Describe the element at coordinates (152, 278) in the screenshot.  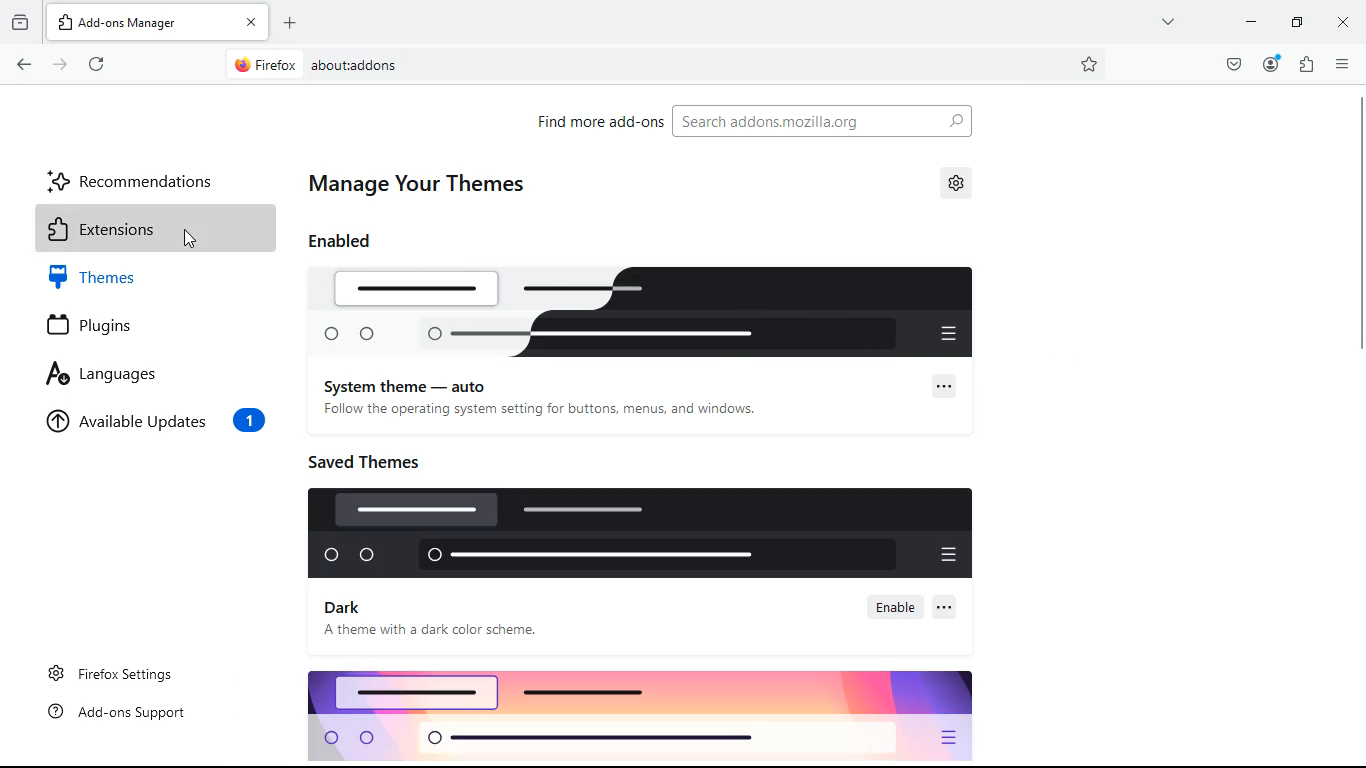
I see `themes` at that location.